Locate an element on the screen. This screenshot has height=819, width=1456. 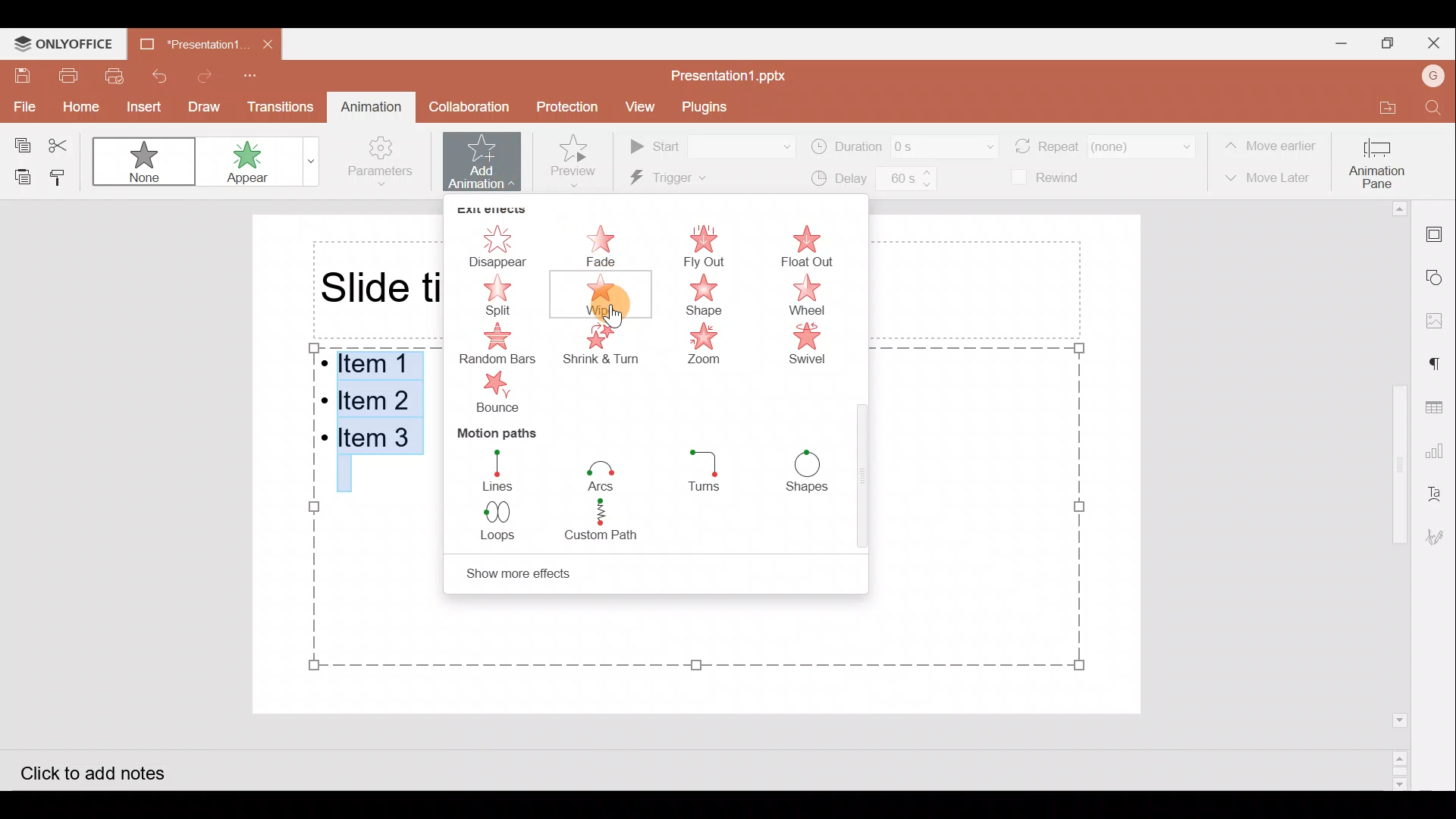
File is located at coordinates (19, 105).